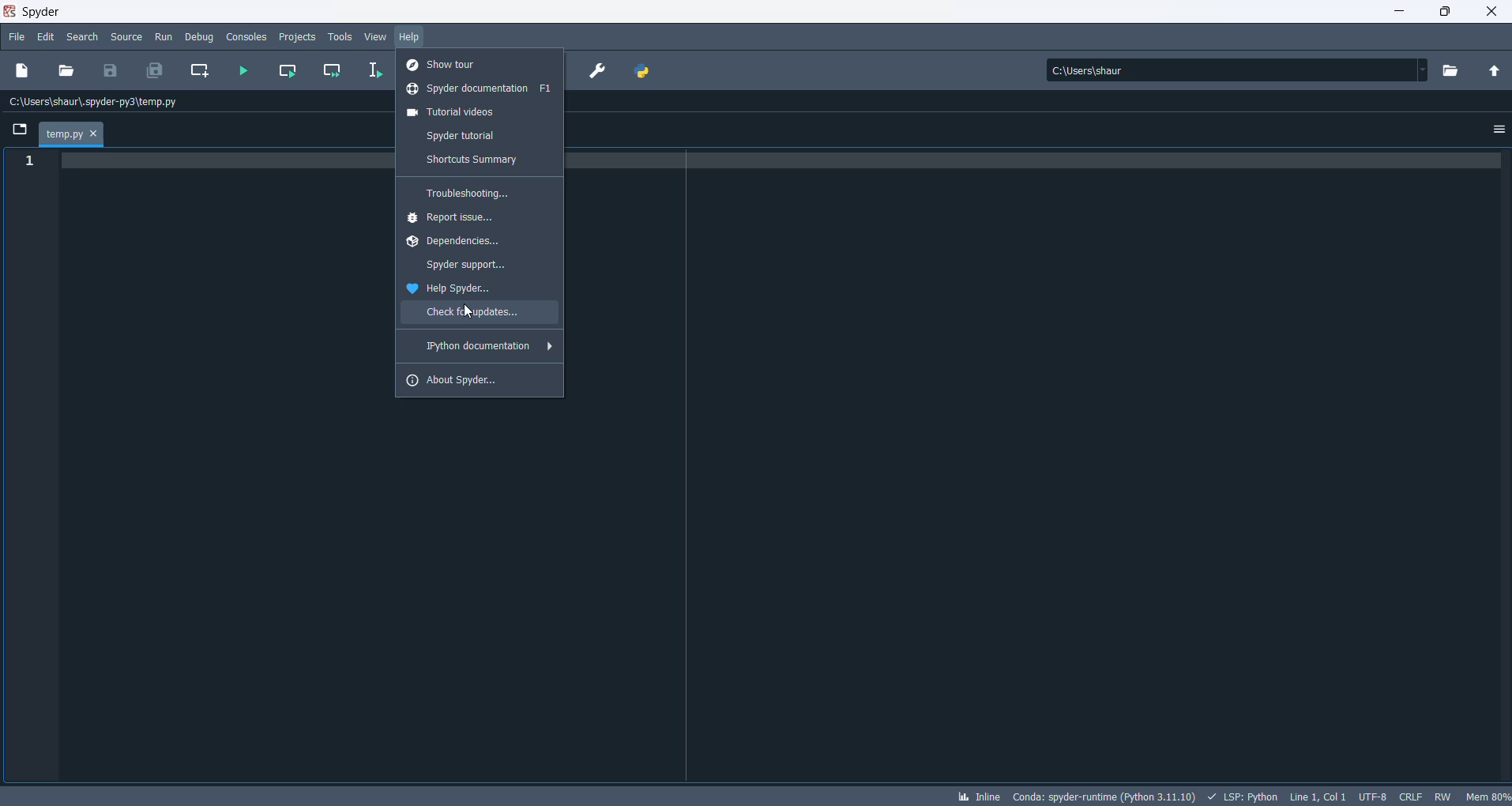 The width and height of the screenshot is (1512, 806). I want to click on run current cell, so click(291, 71).